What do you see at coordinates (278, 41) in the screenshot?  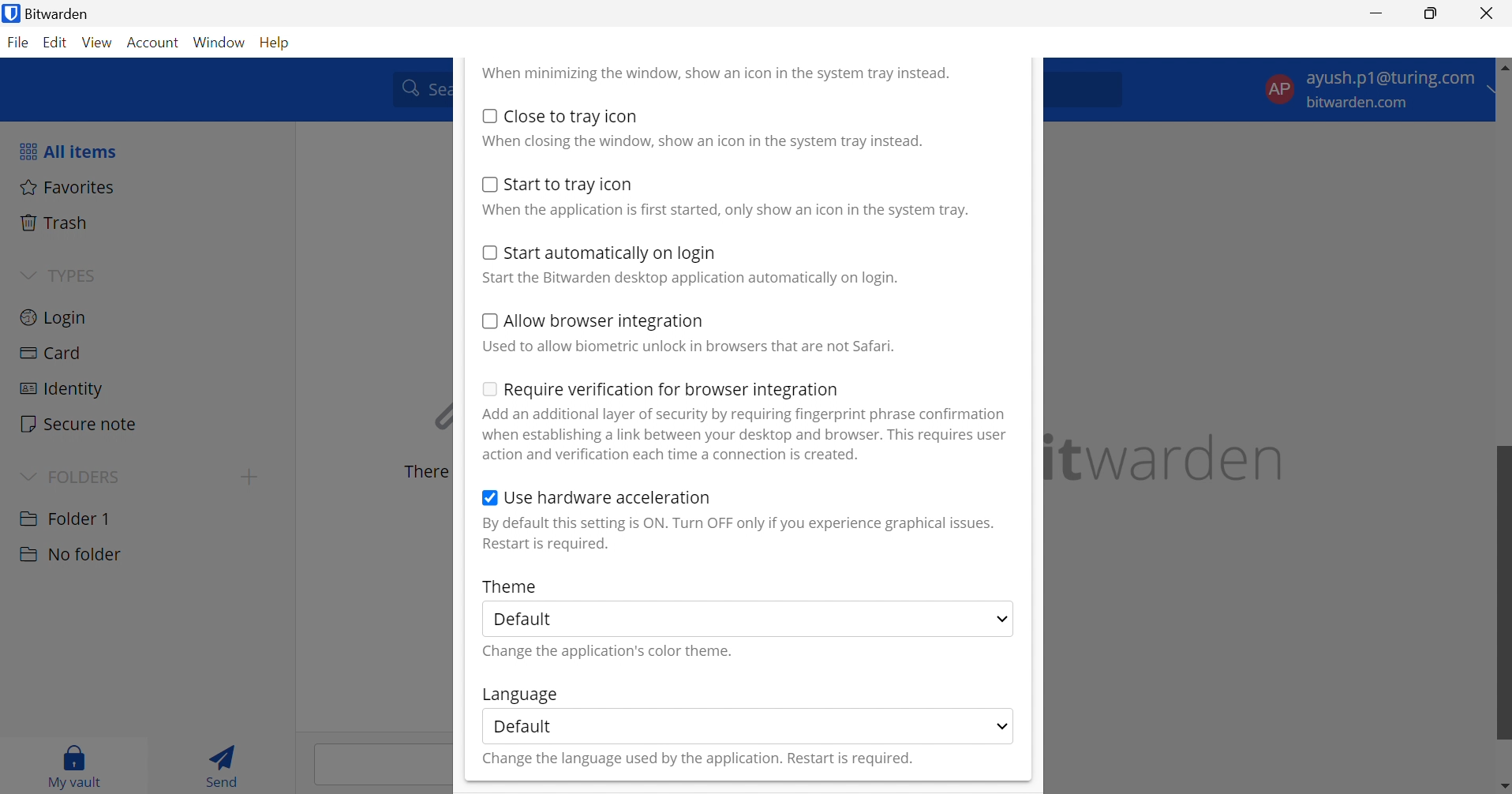 I see `Help` at bounding box center [278, 41].